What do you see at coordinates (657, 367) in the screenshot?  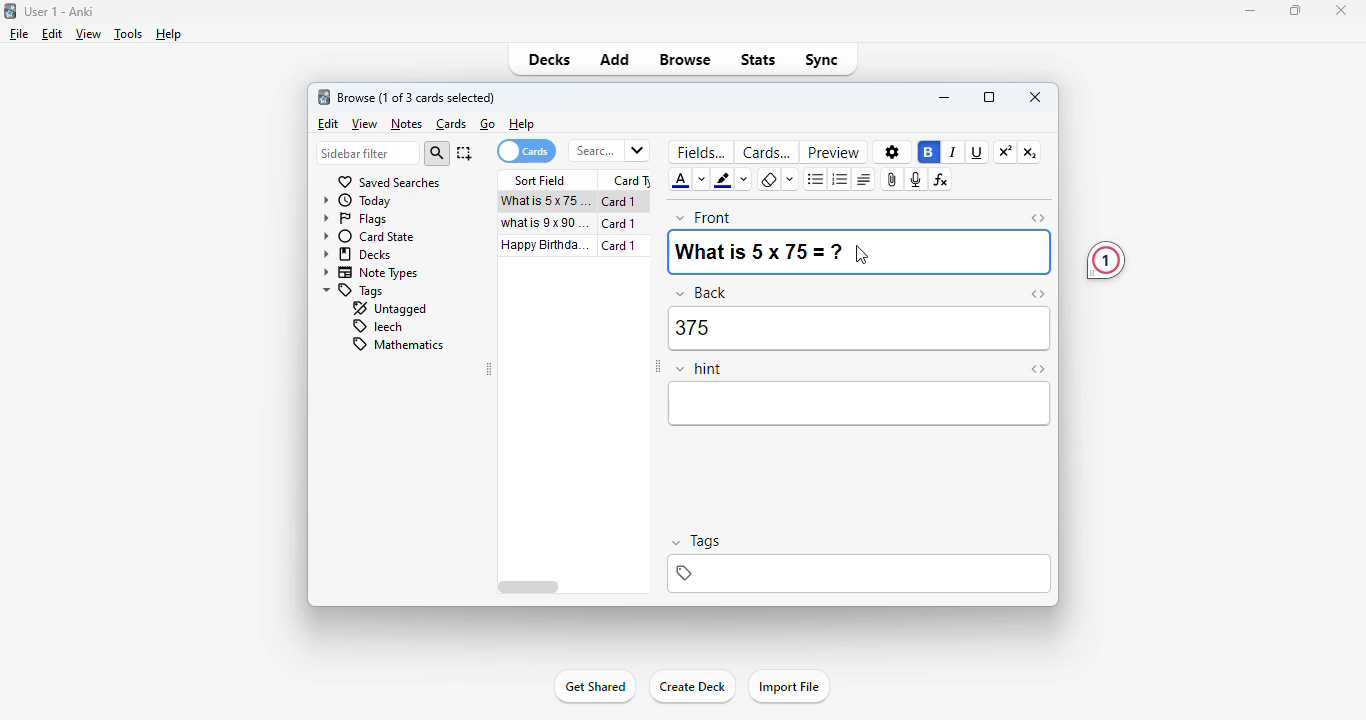 I see `toggle sidebar` at bounding box center [657, 367].